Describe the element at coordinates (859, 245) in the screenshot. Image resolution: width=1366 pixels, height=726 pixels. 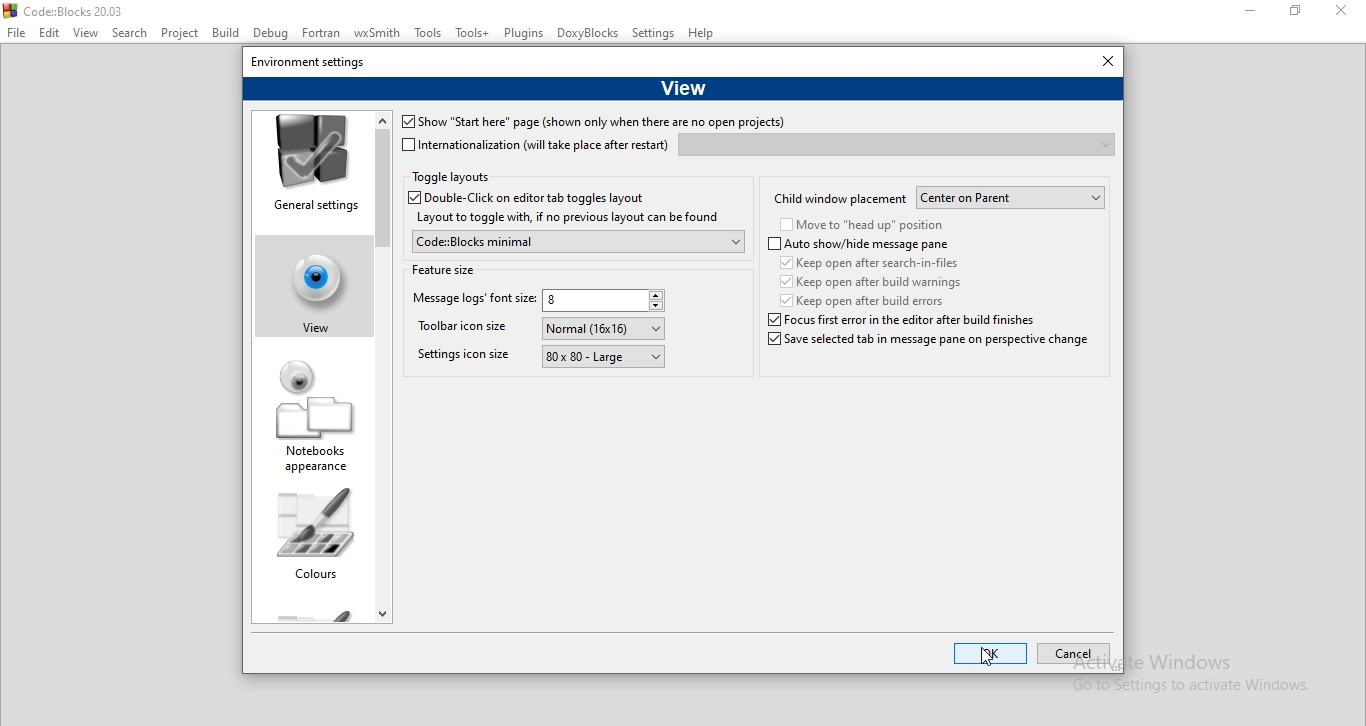
I see `Auto show/hide message pane` at that location.